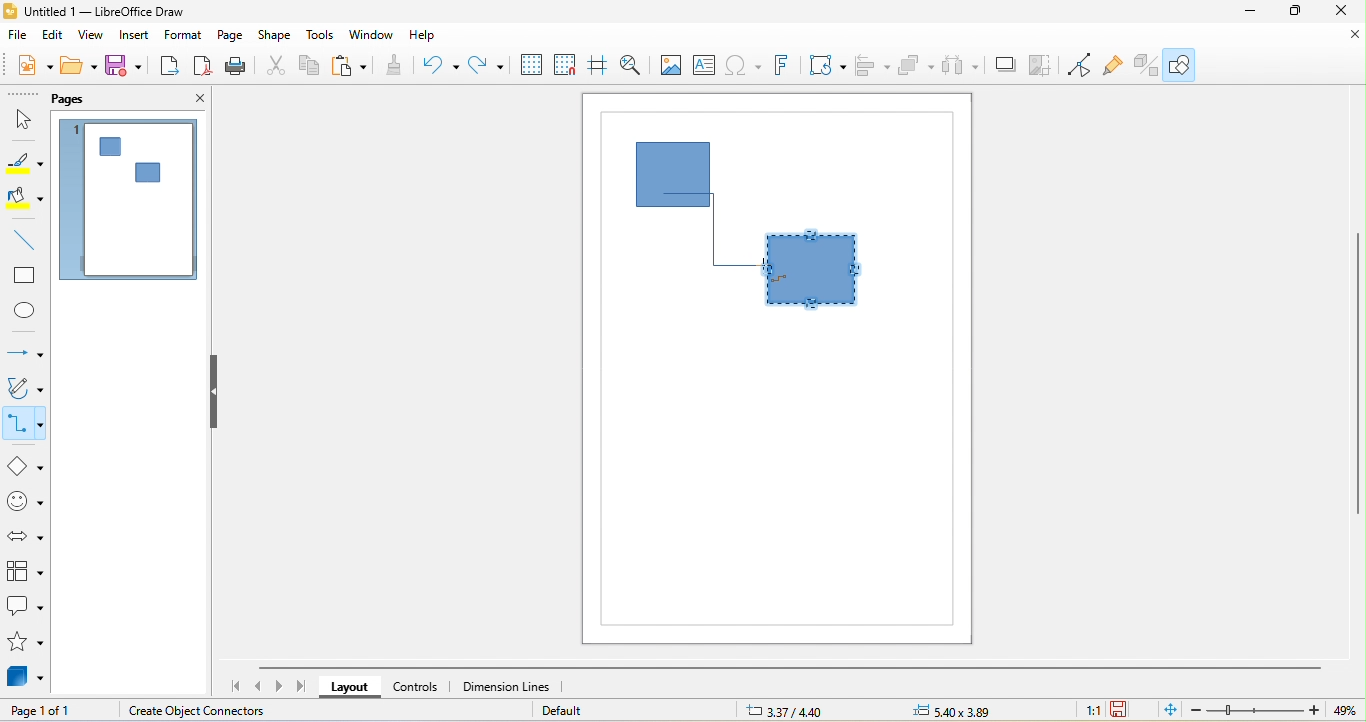 Image resolution: width=1366 pixels, height=722 pixels. What do you see at coordinates (1092, 710) in the screenshot?
I see `1:1` at bounding box center [1092, 710].